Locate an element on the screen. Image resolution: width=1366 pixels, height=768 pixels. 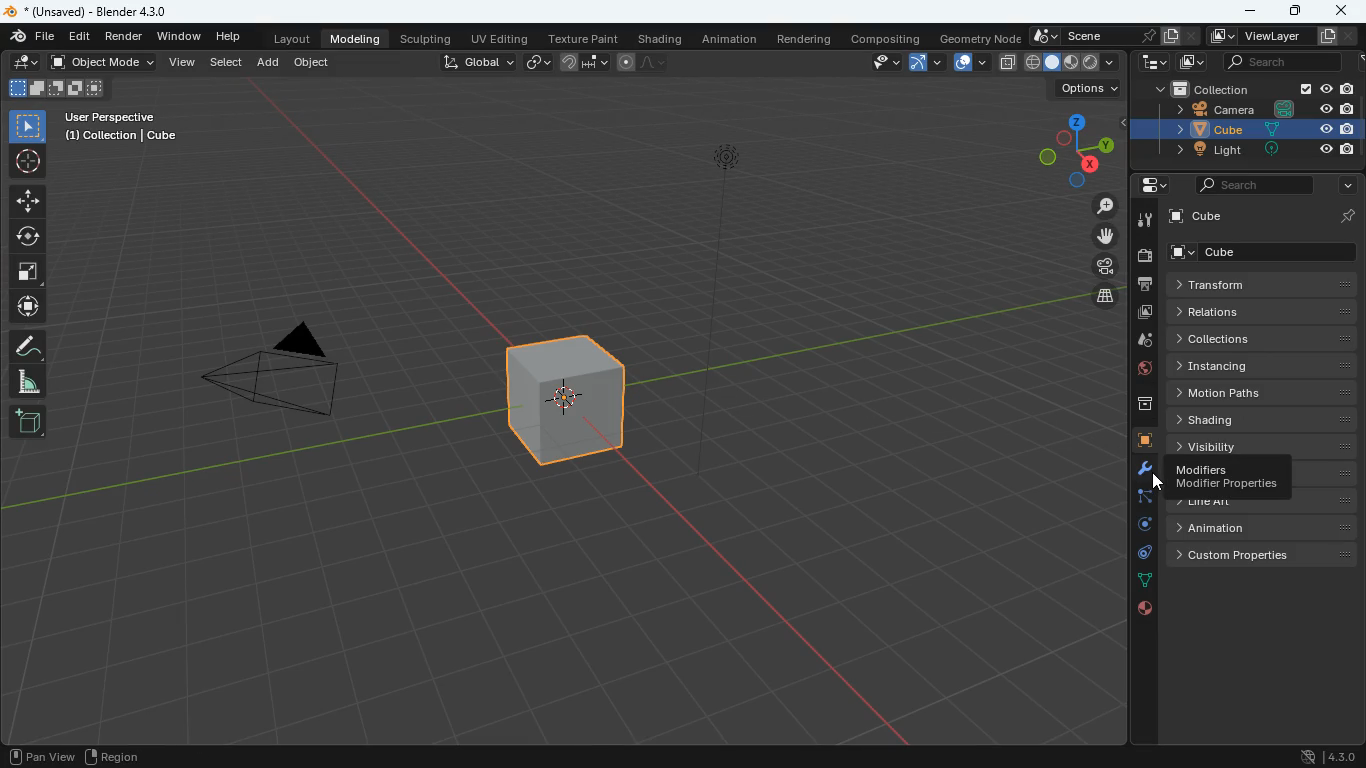
tools is located at coordinates (1145, 220).